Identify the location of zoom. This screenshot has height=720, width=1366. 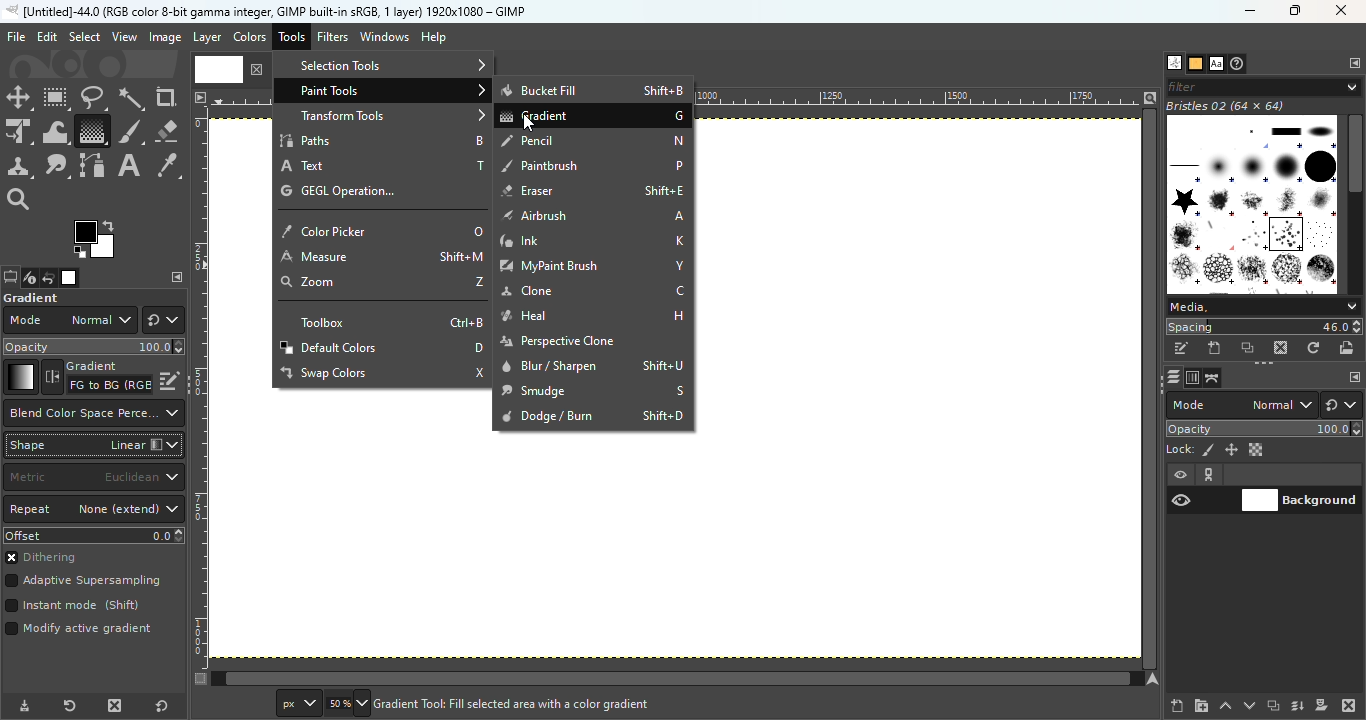
(379, 285).